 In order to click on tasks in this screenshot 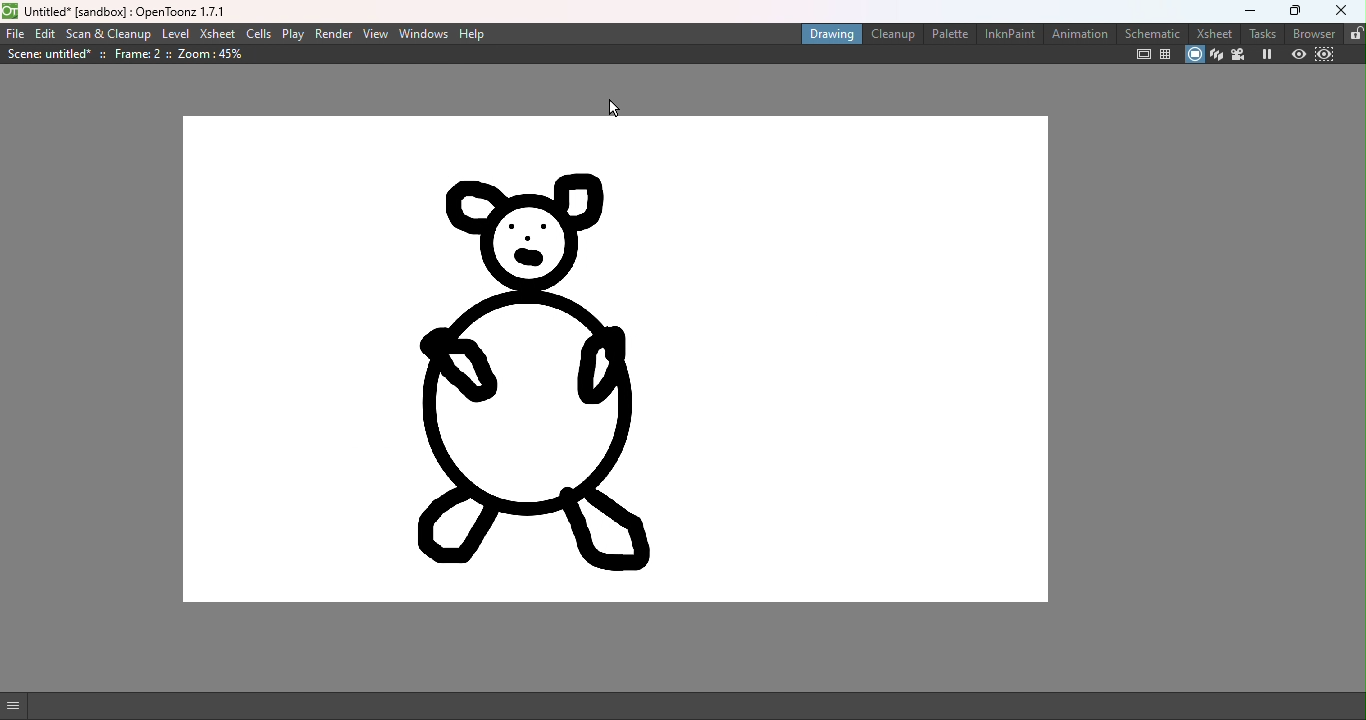, I will do `click(1260, 33)`.